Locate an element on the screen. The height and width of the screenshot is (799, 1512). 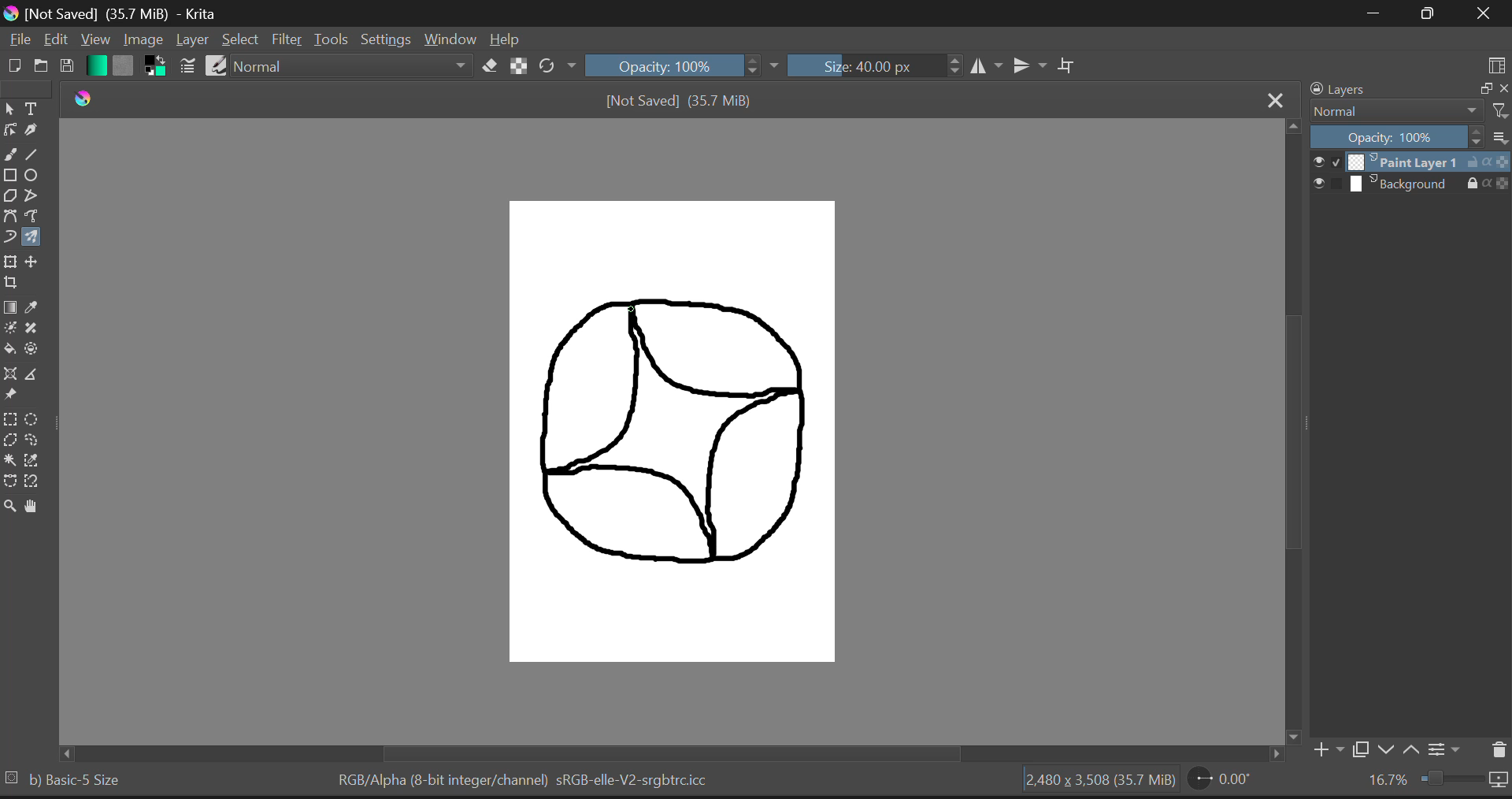
Window is located at coordinates (449, 40).